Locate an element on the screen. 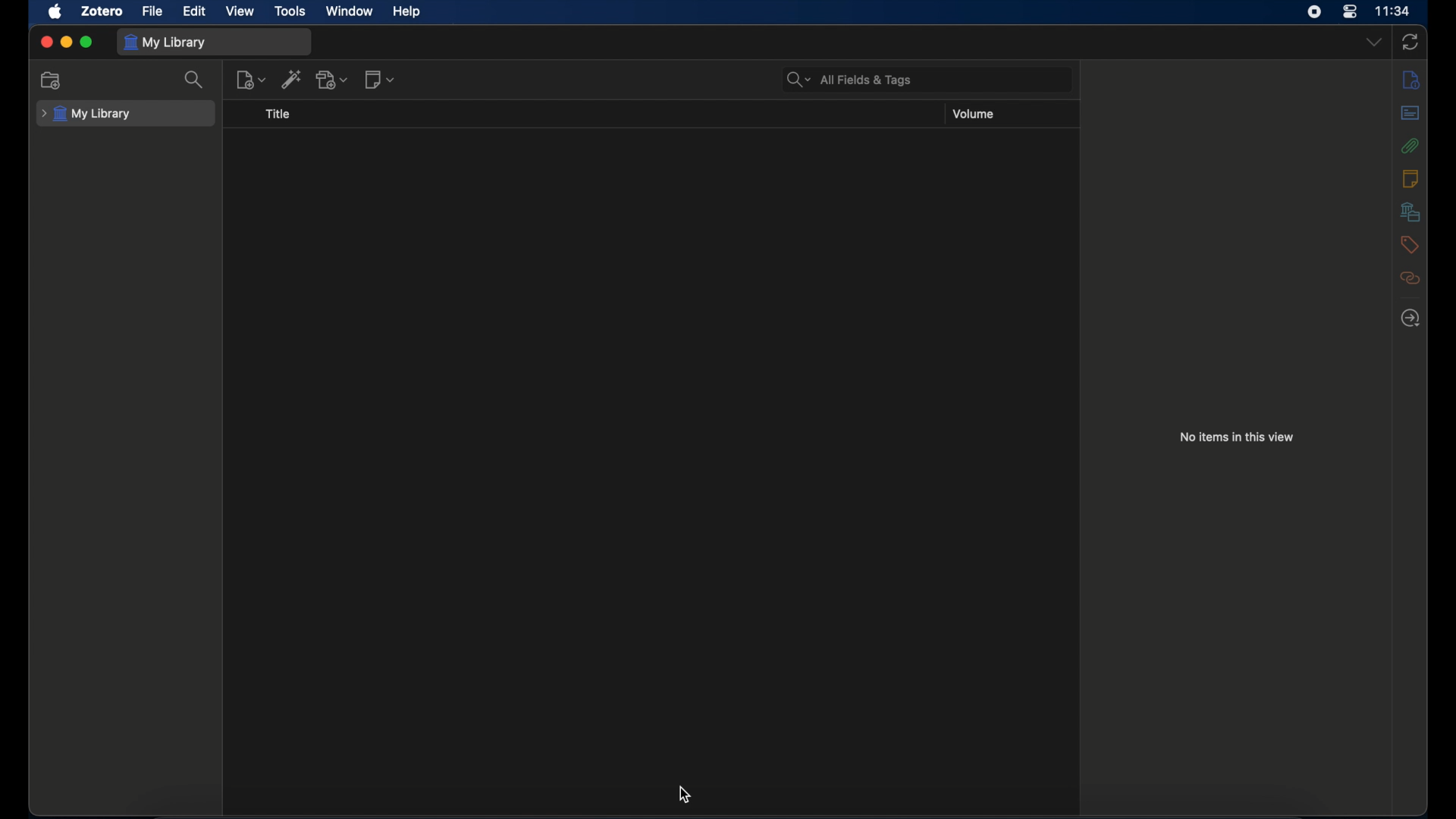  abstract is located at coordinates (1410, 113).